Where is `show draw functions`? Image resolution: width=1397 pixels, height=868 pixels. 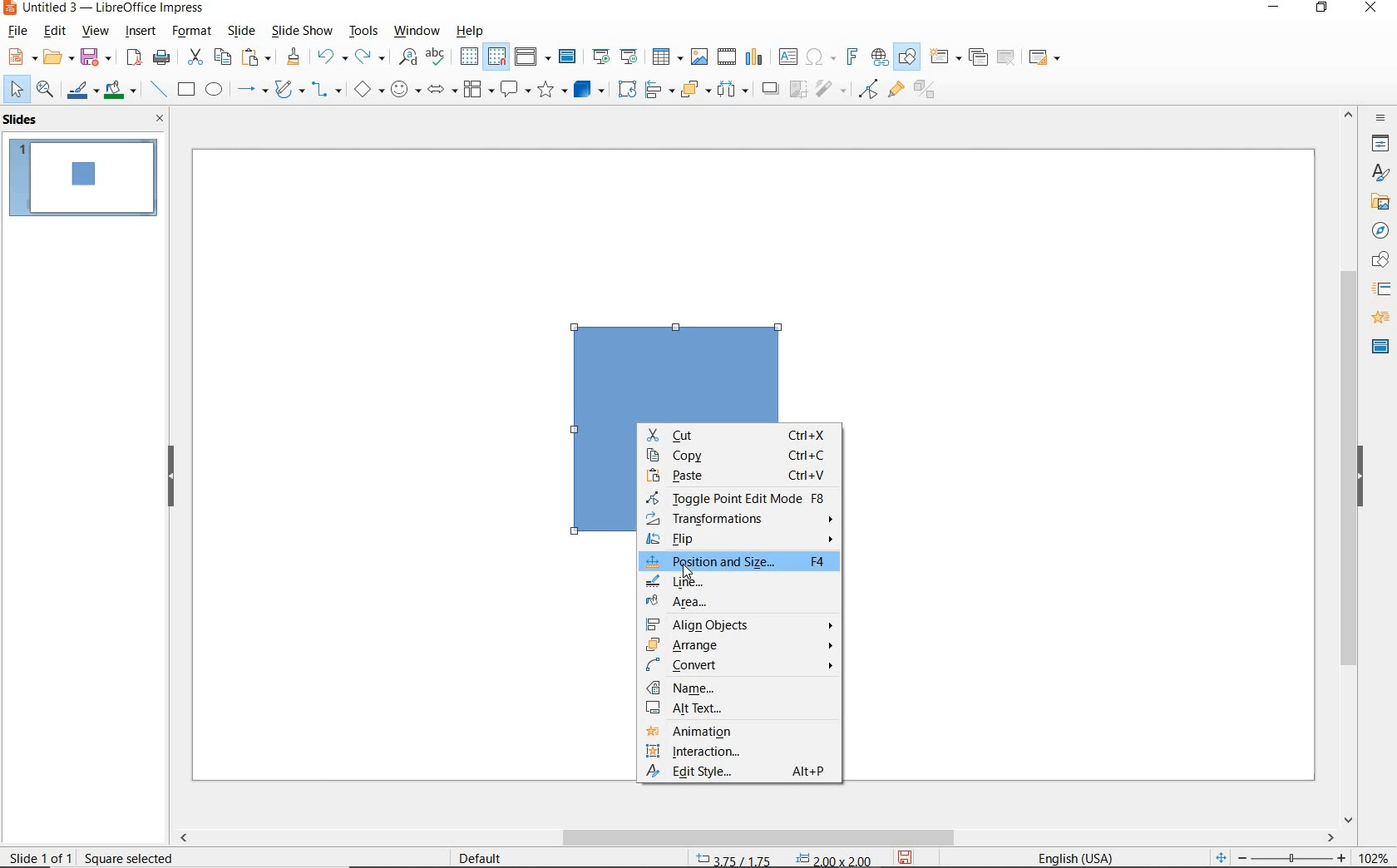 show draw functions is located at coordinates (909, 57).